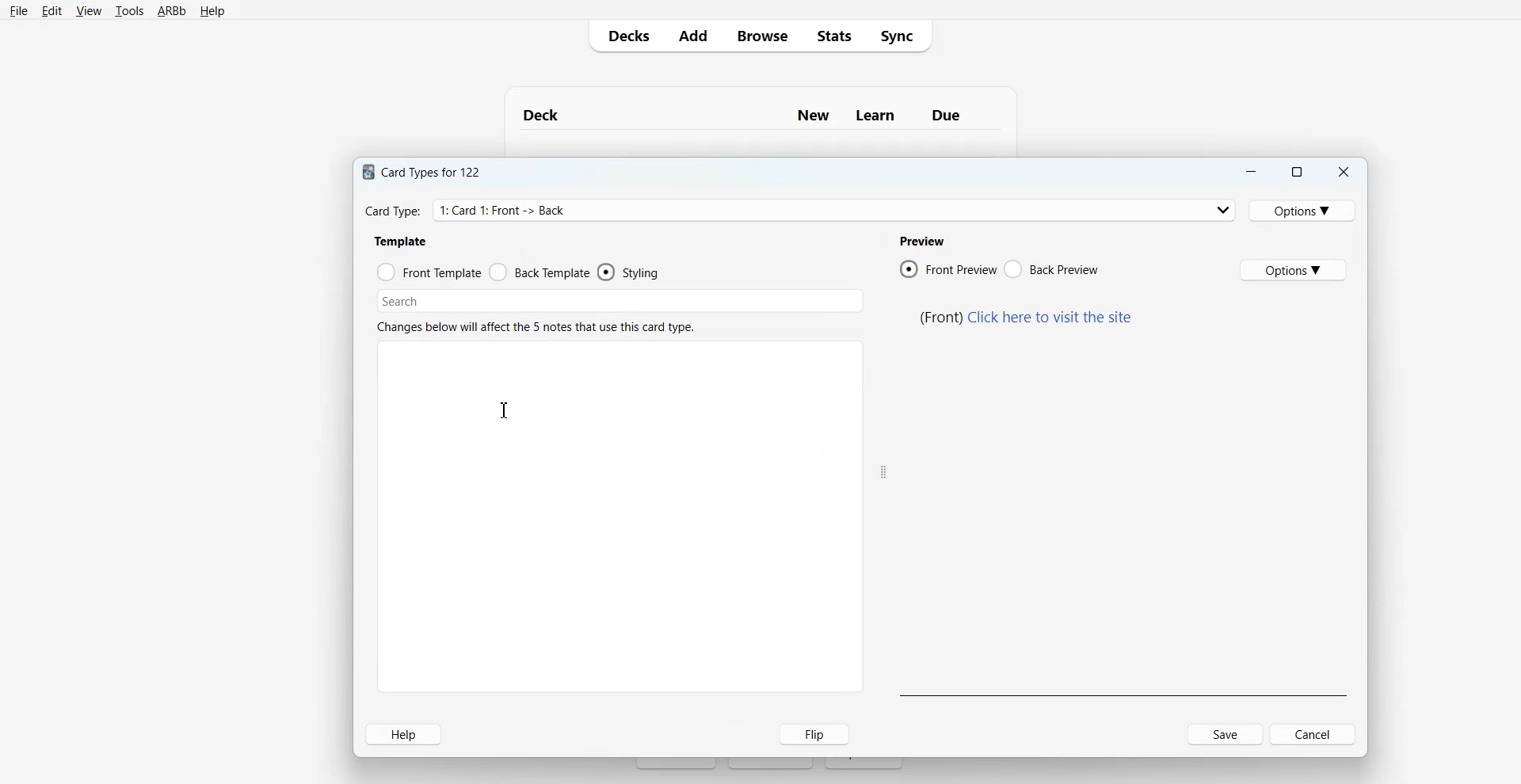 Image resolution: width=1521 pixels, height=784 pixels. Describe the element at coordinates (18, 11) in the screenshot. I see `File` at that location.